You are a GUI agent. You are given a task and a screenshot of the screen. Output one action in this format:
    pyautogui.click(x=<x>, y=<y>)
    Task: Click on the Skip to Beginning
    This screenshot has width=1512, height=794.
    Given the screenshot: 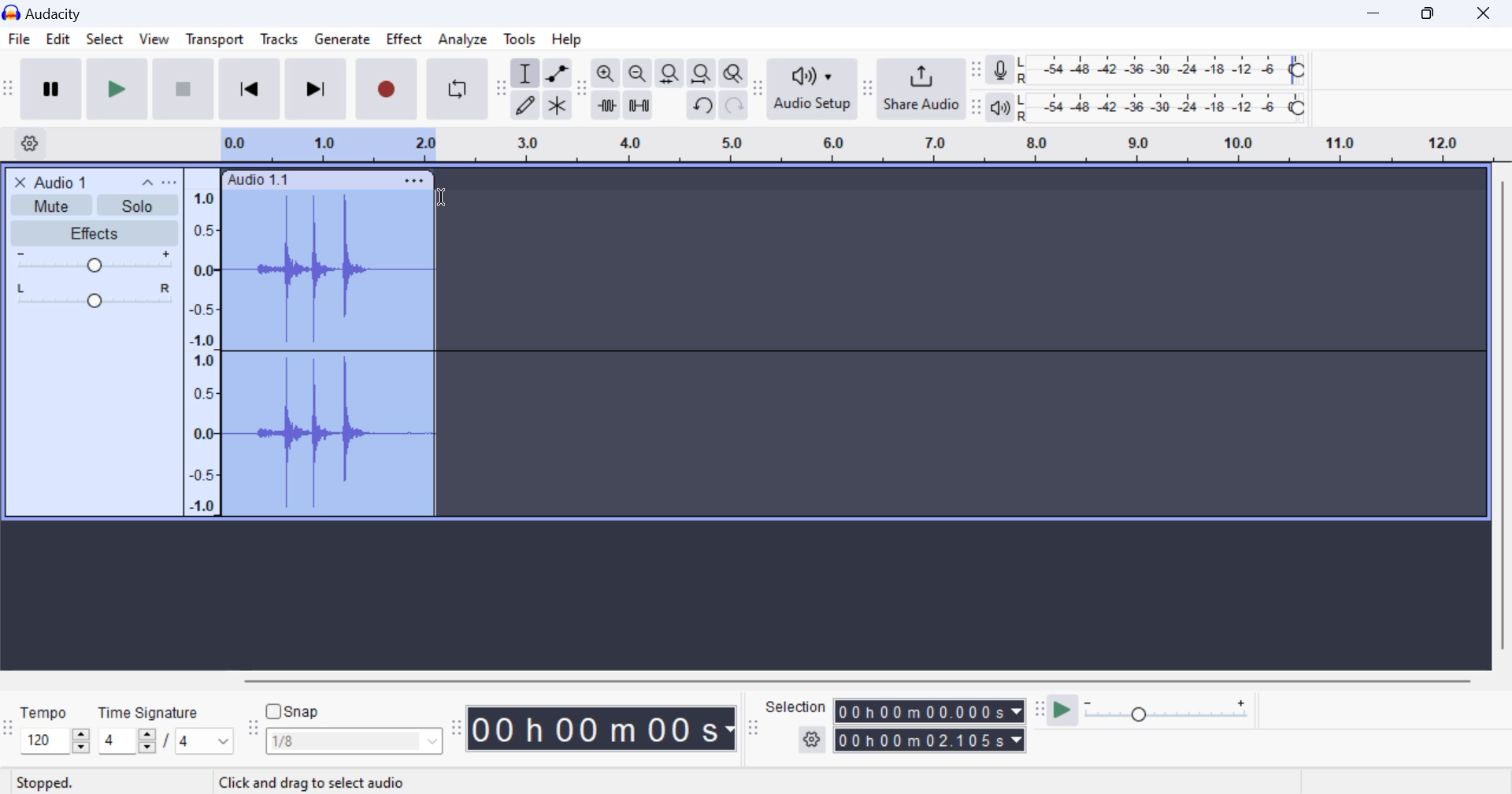 What is the action you would take?
    pyautogui.click(x=249, y=90)
    